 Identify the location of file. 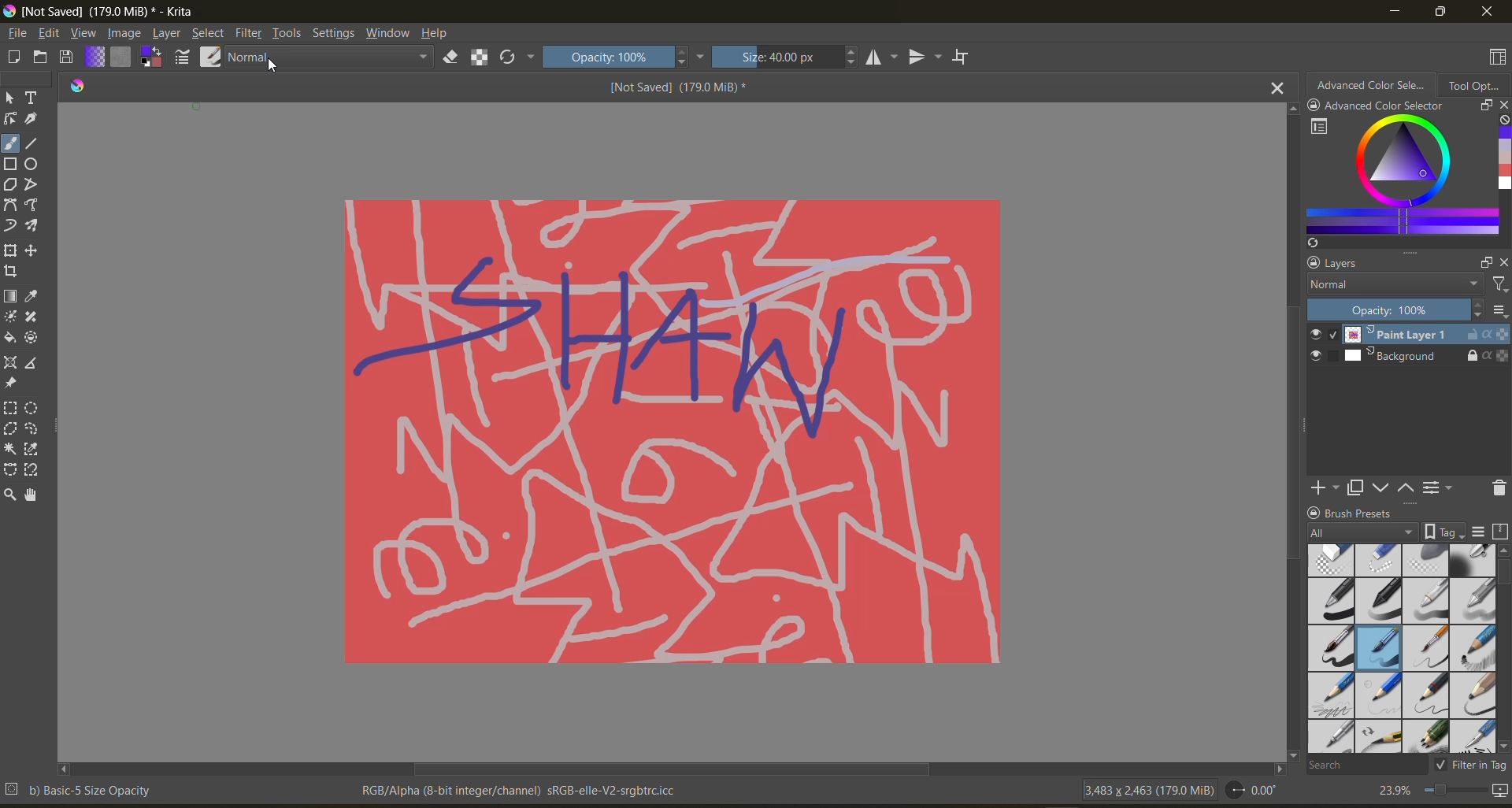
(17, 34).